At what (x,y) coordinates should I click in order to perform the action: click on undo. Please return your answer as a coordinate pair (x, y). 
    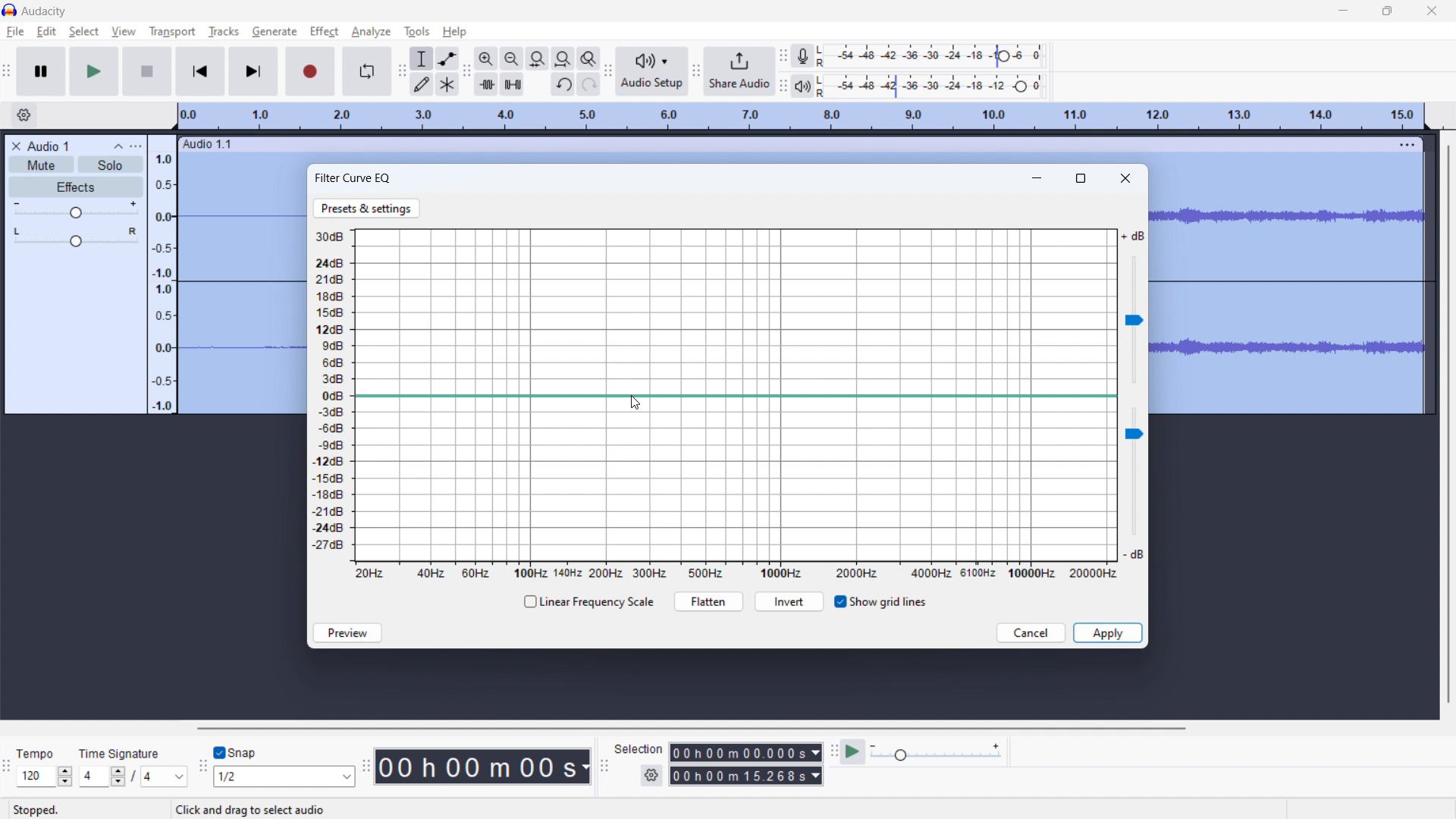
    Looking at the image, I should click on (562, 85).